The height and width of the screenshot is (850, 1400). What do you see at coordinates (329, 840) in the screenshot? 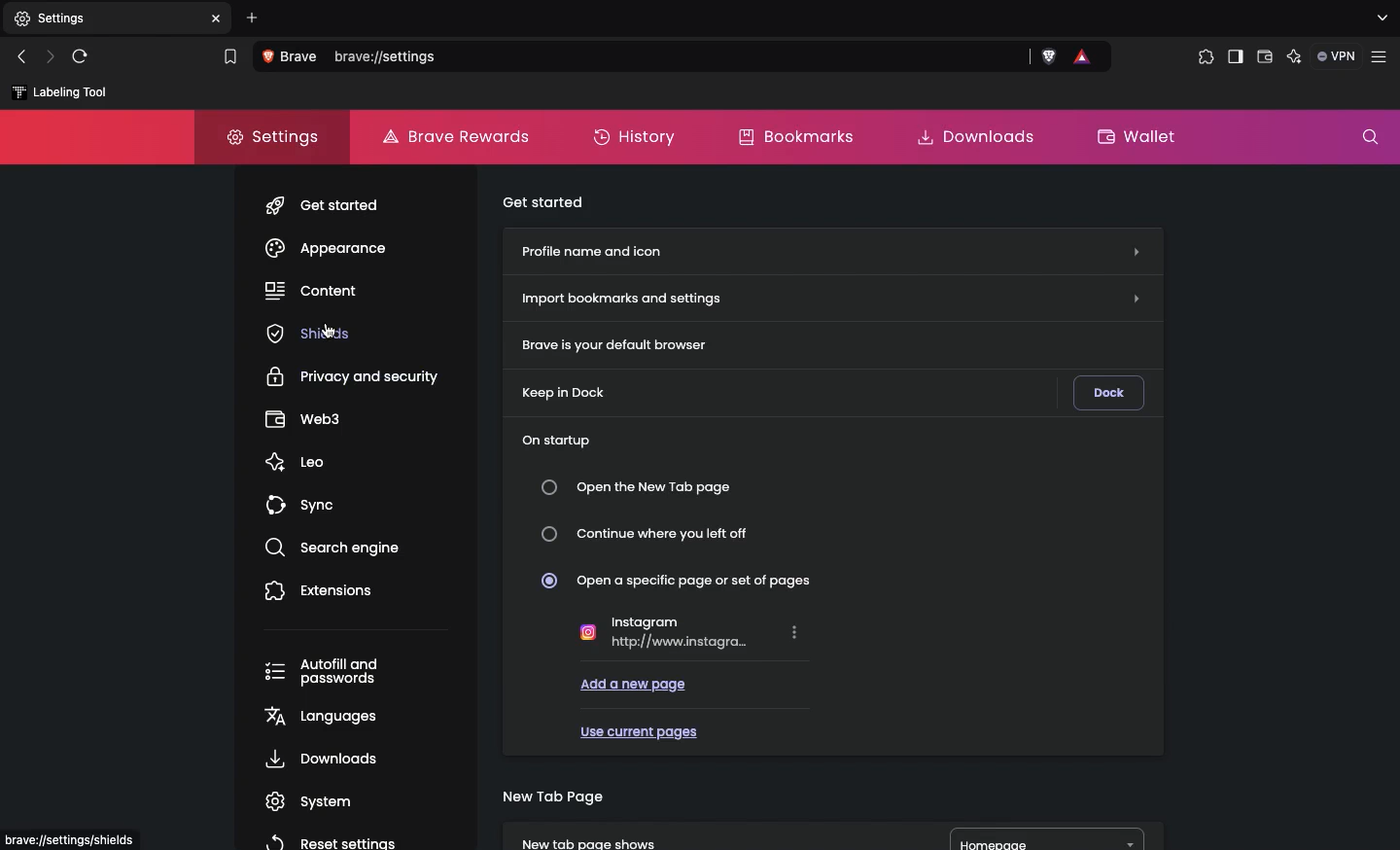
I see `Reset settings` at bounding box center [329, 840].